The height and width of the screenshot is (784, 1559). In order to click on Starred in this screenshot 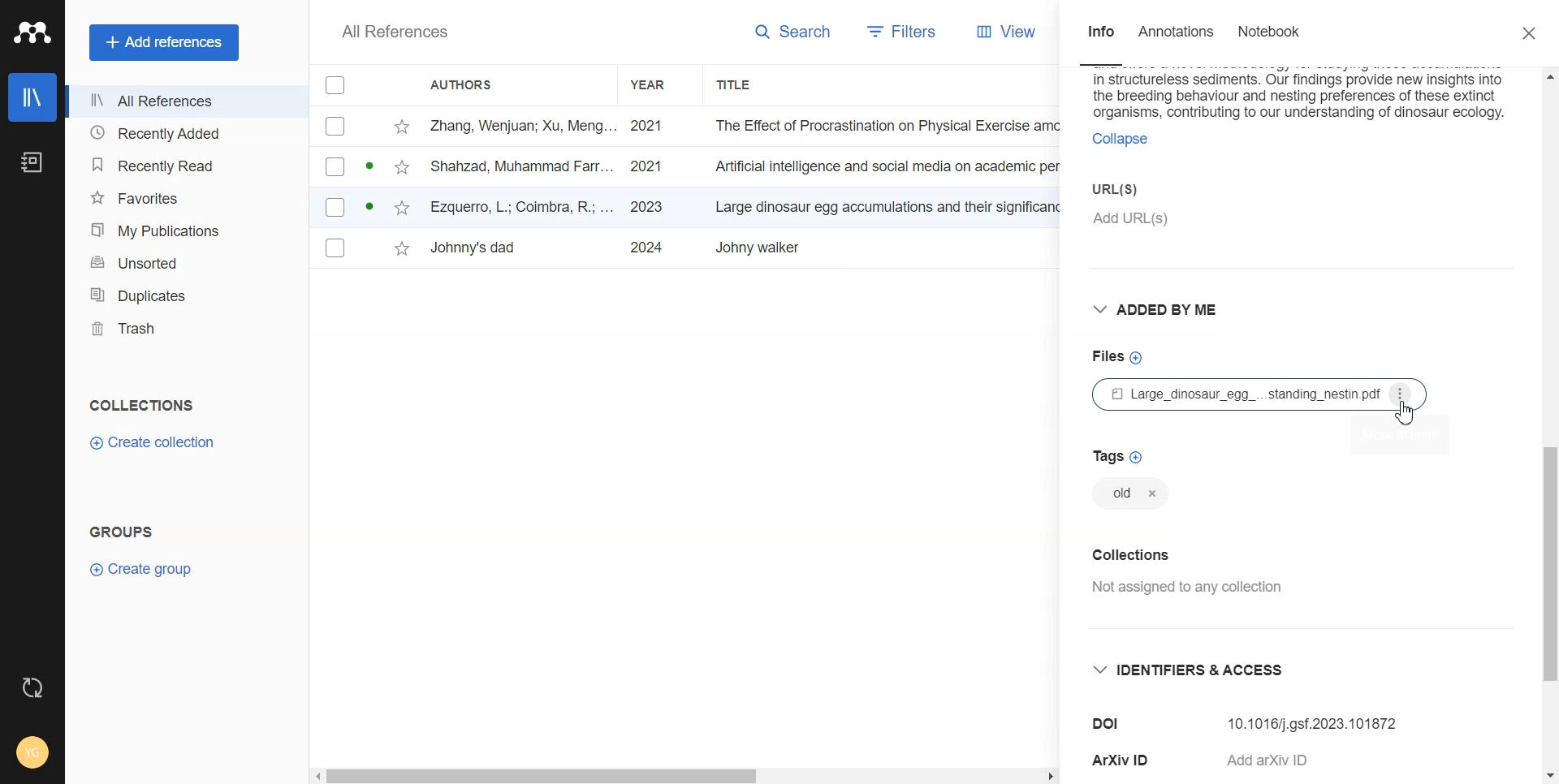, I will do `click(403, 126)`.